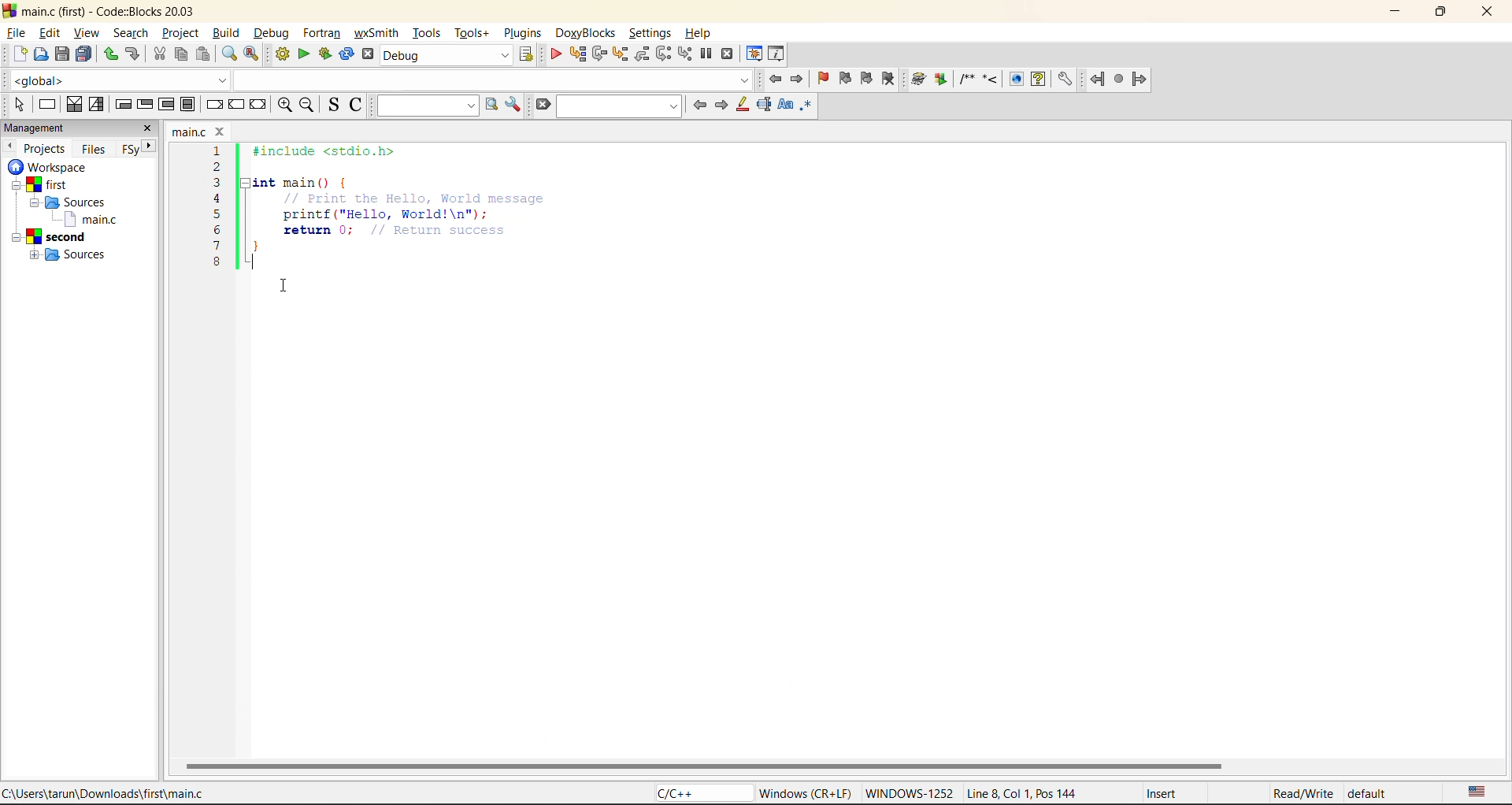  Describe the element at coordinates (1303, 791) in the screenshot. I see `Read/write` at that location.